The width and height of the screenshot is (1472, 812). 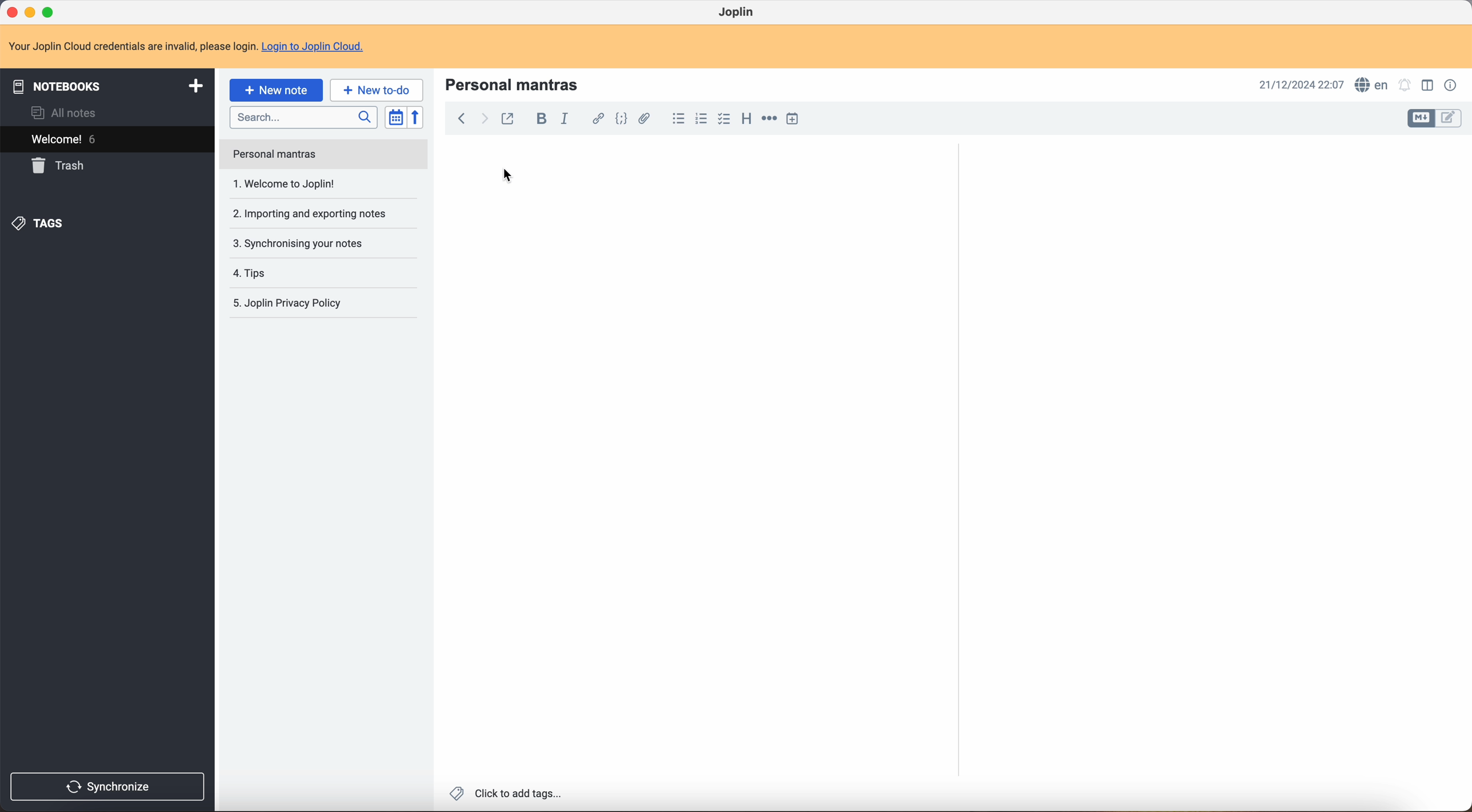 What do you see at coordinates (1373, 84) in the screenshot?
I see `spell checker` at bounding box center [1373, 84].